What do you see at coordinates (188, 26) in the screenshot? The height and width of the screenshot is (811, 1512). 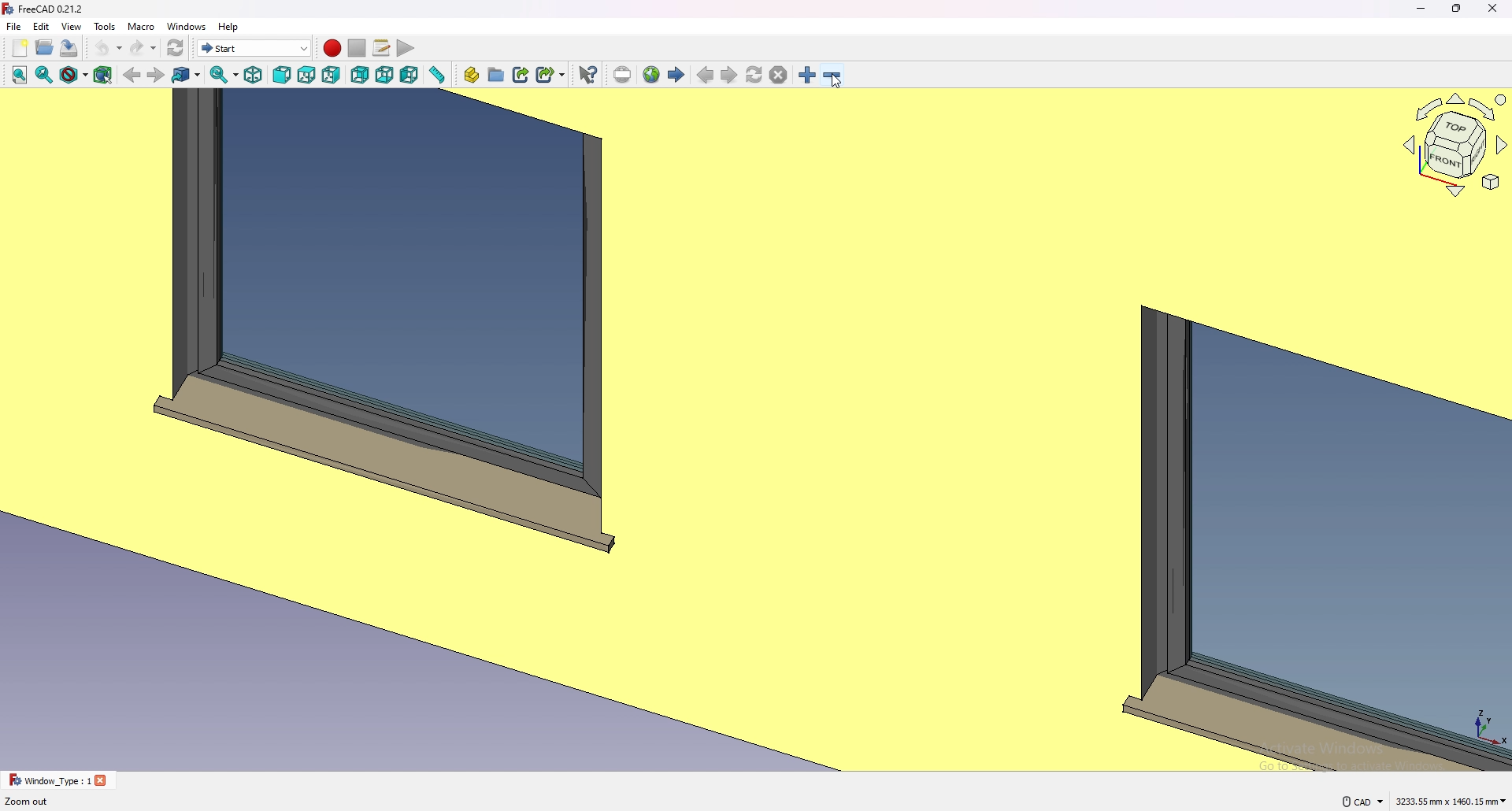 I see `windows` at bounding box center [188, 26].